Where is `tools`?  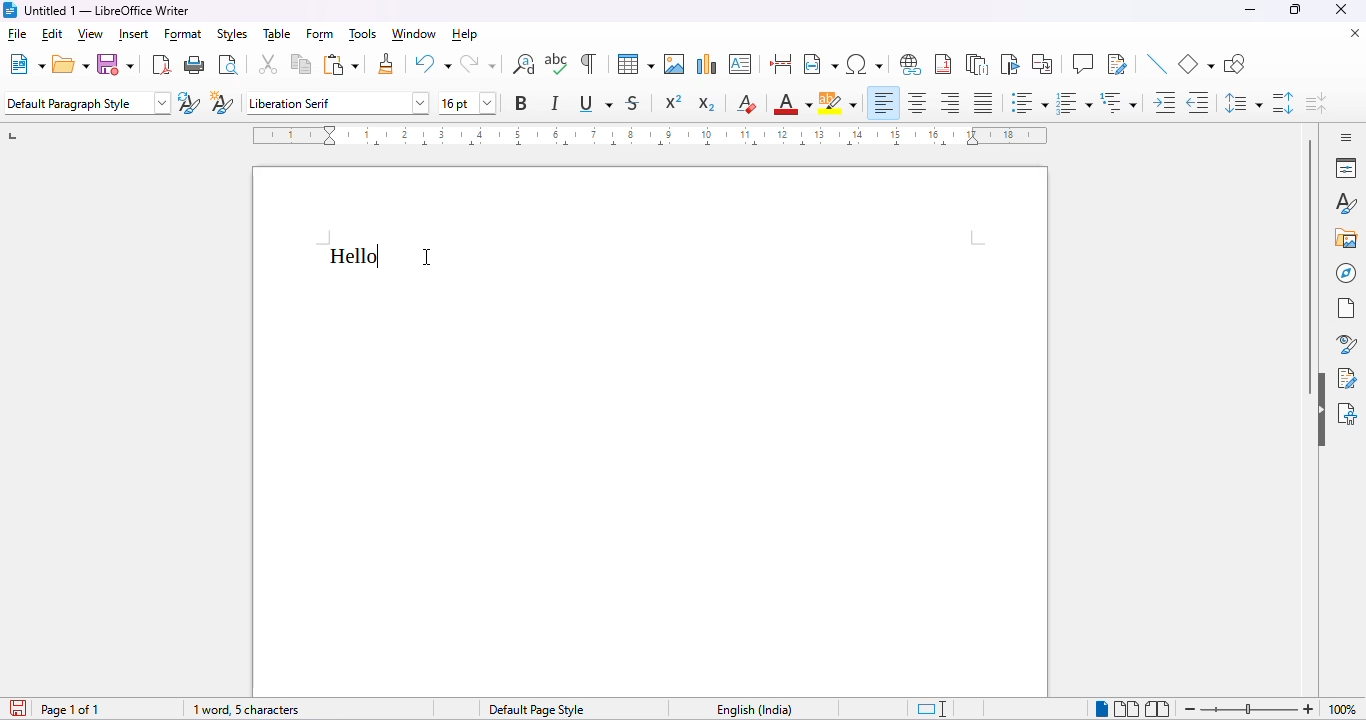 tools is located at coordinates (362, 34).